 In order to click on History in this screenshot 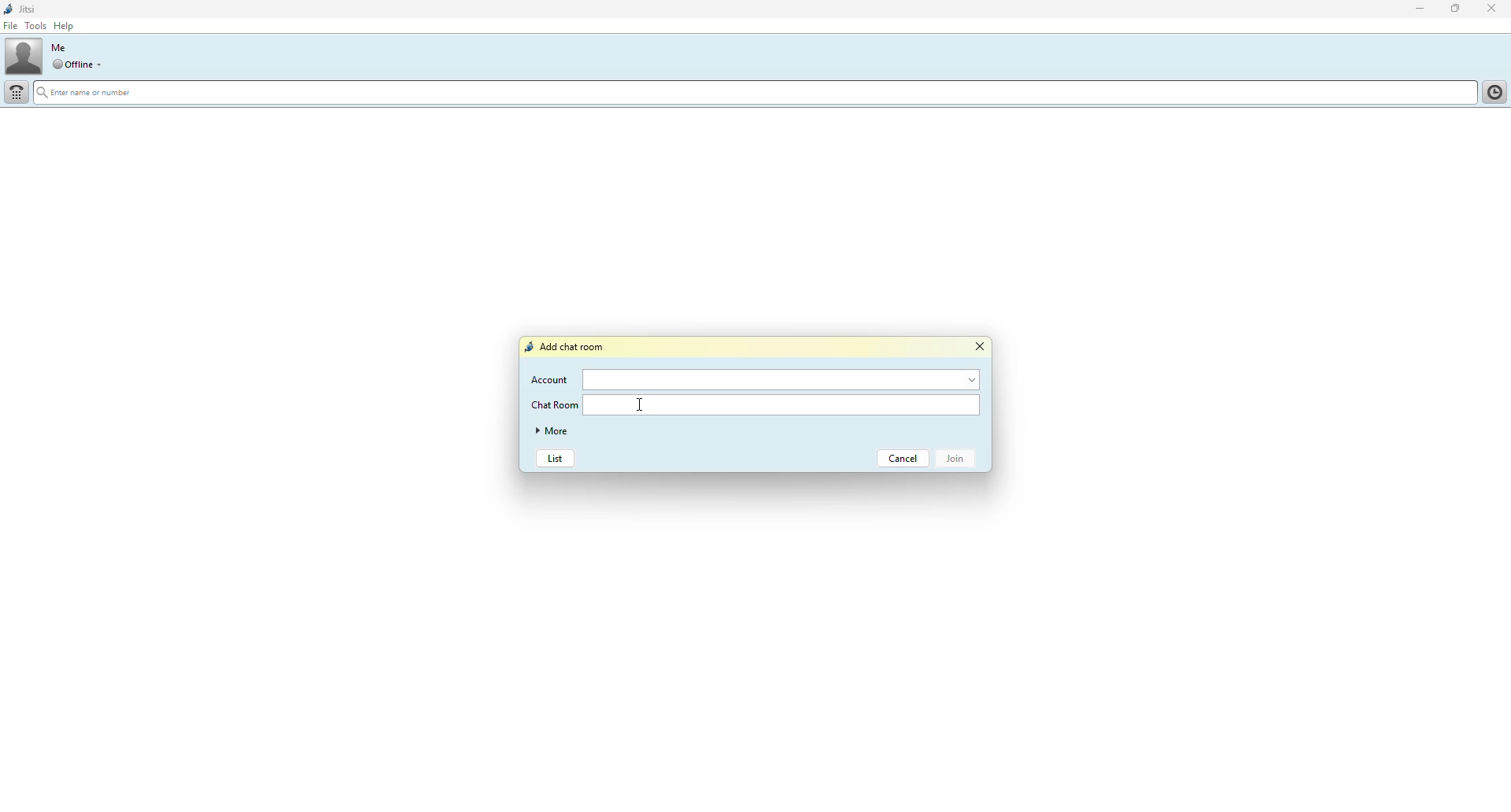, I will do `click(1492, 90)`.